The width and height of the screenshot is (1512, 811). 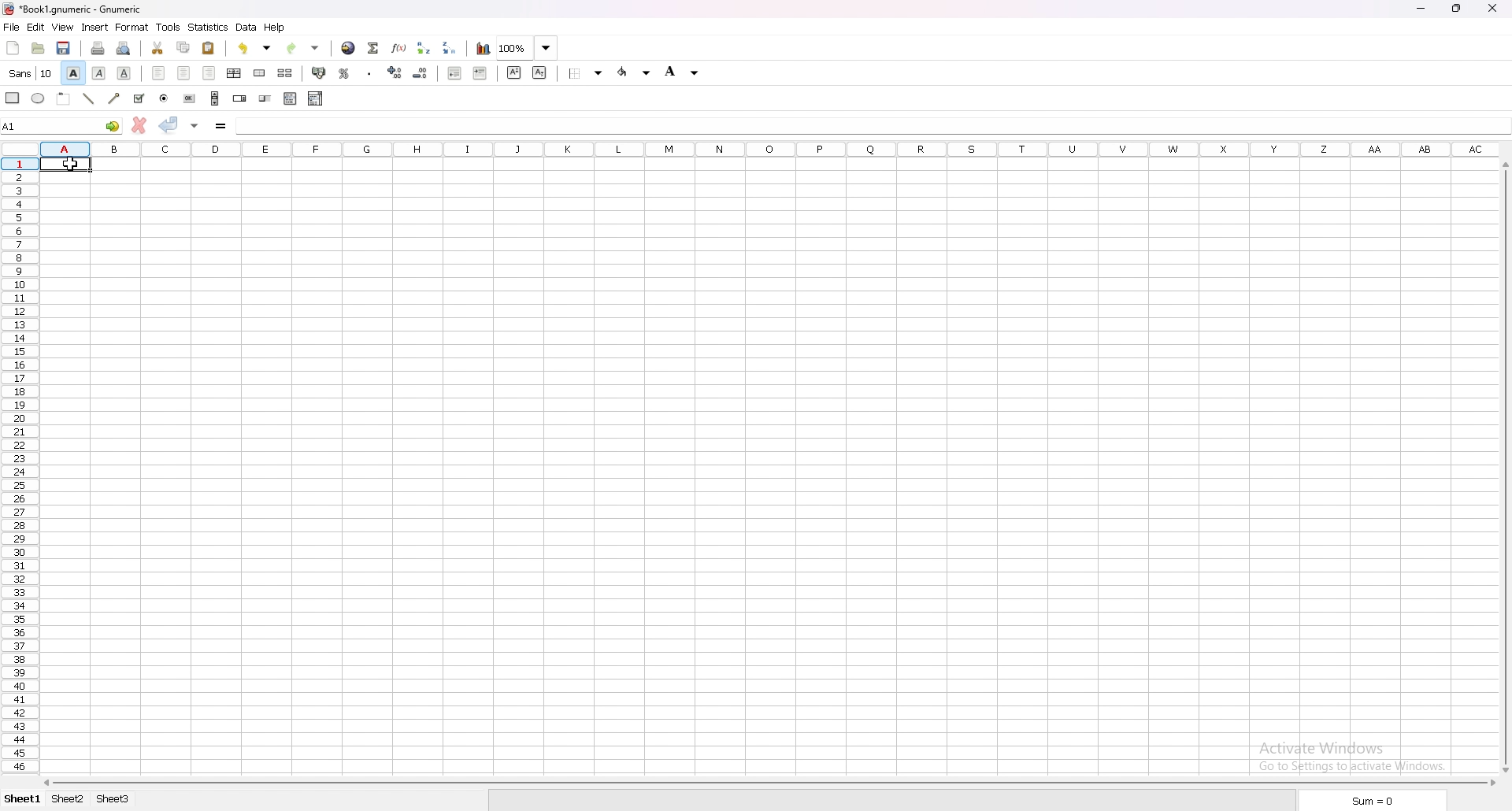 I want to click on open, so click(x=39, y=48).